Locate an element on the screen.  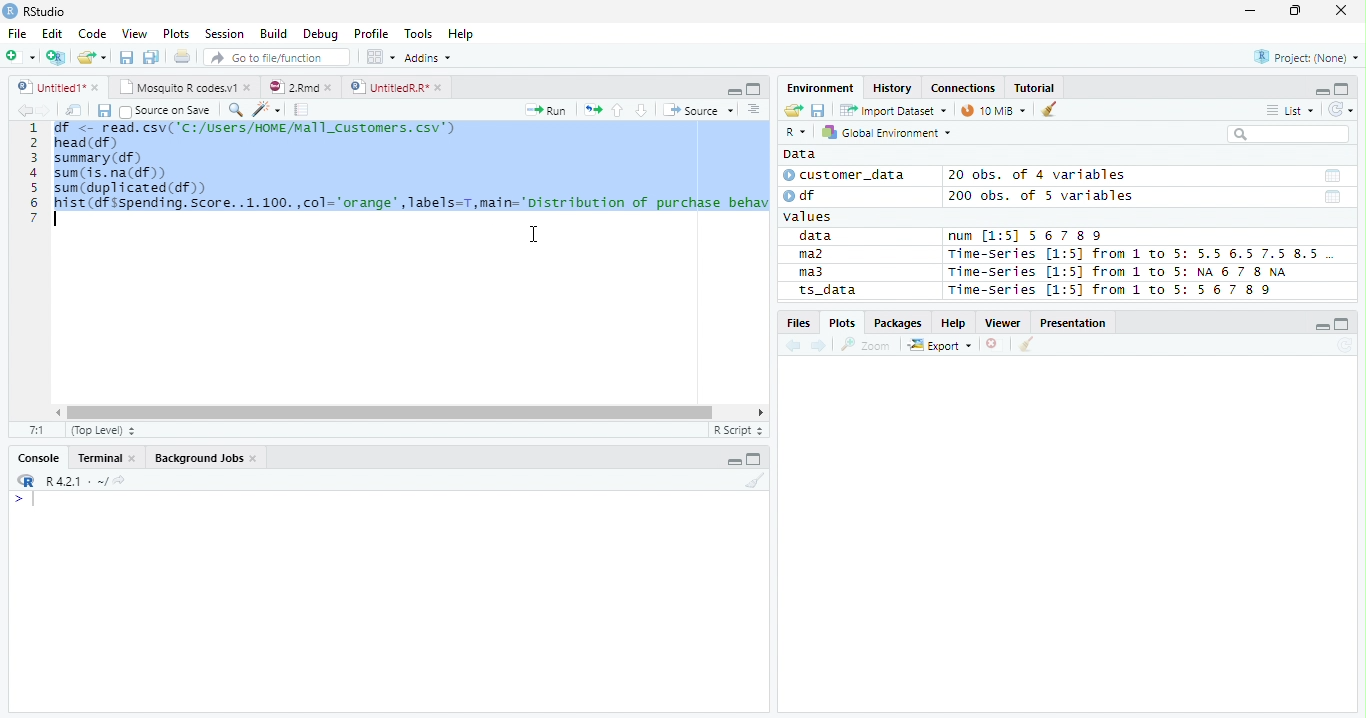
Re-run is located at coordinates (592, 111).